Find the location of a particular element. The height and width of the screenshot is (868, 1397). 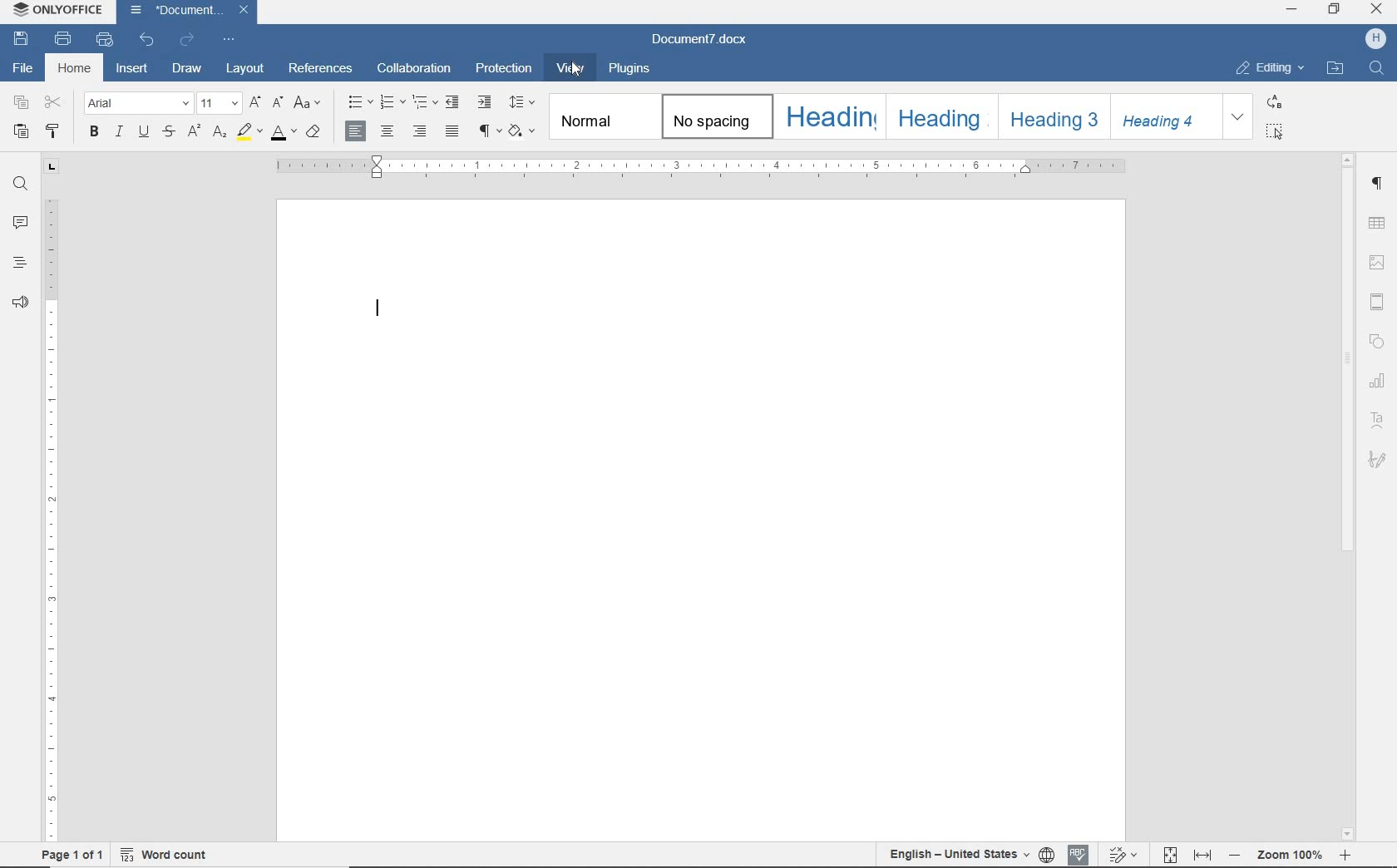

EDITING is located at coordinates (1268, 66).